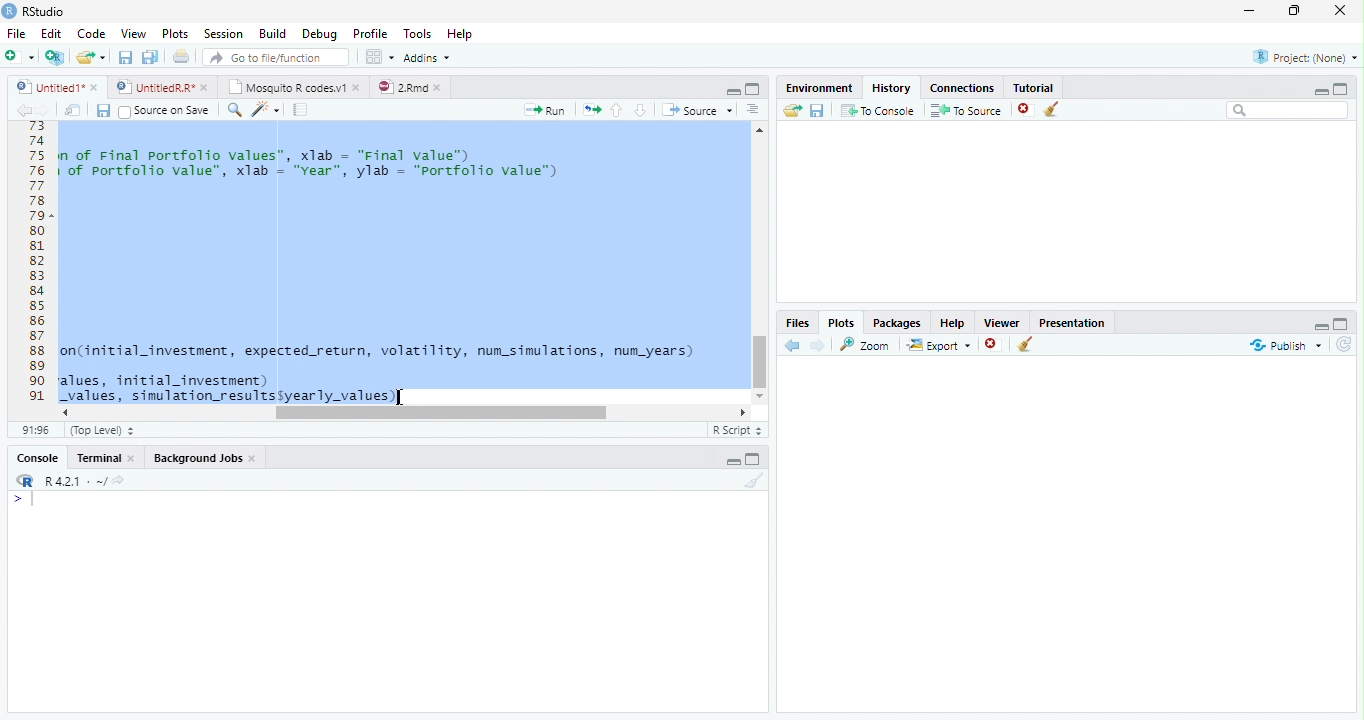  I want to click on History, so click(890, 86).